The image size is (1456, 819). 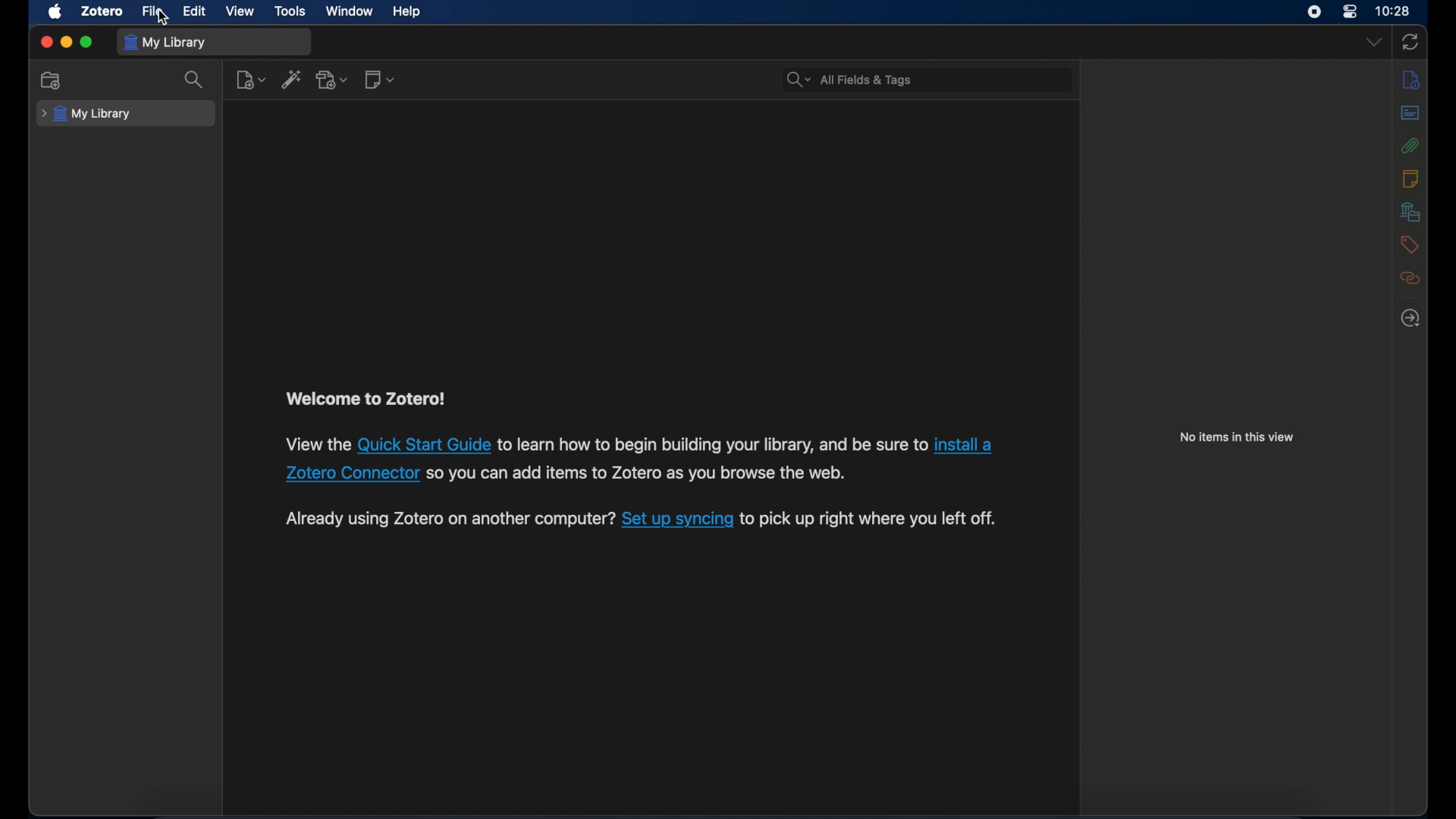 I want to click on search, so click(x=194, y=79).